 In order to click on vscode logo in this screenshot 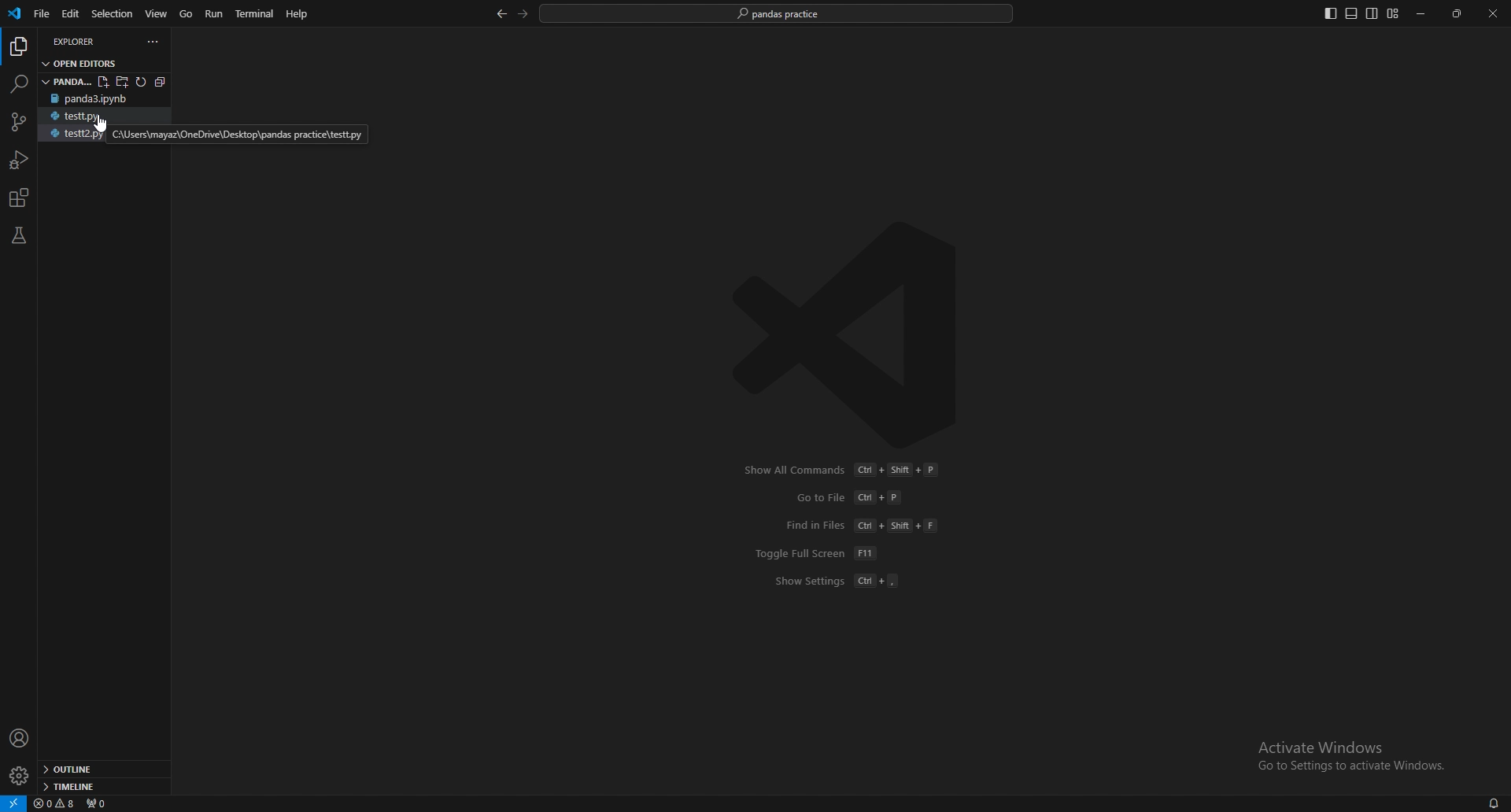, I will do `click(14, 14)`.